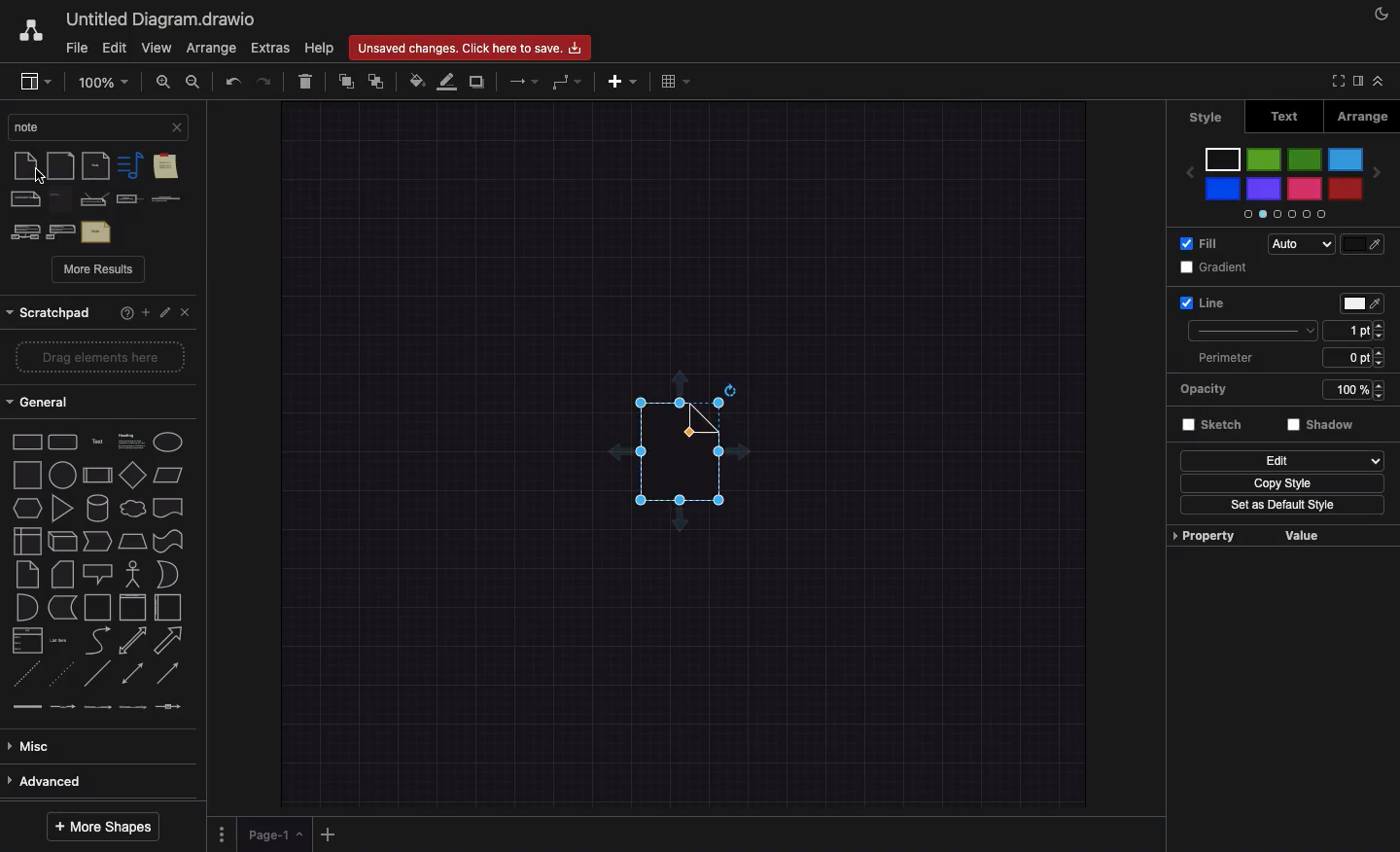 This screenshot has height=852, width=1400. What do you see at coordinates (345, 83) in the screenshot?
I see `To front` at bounding box center [345, 83].